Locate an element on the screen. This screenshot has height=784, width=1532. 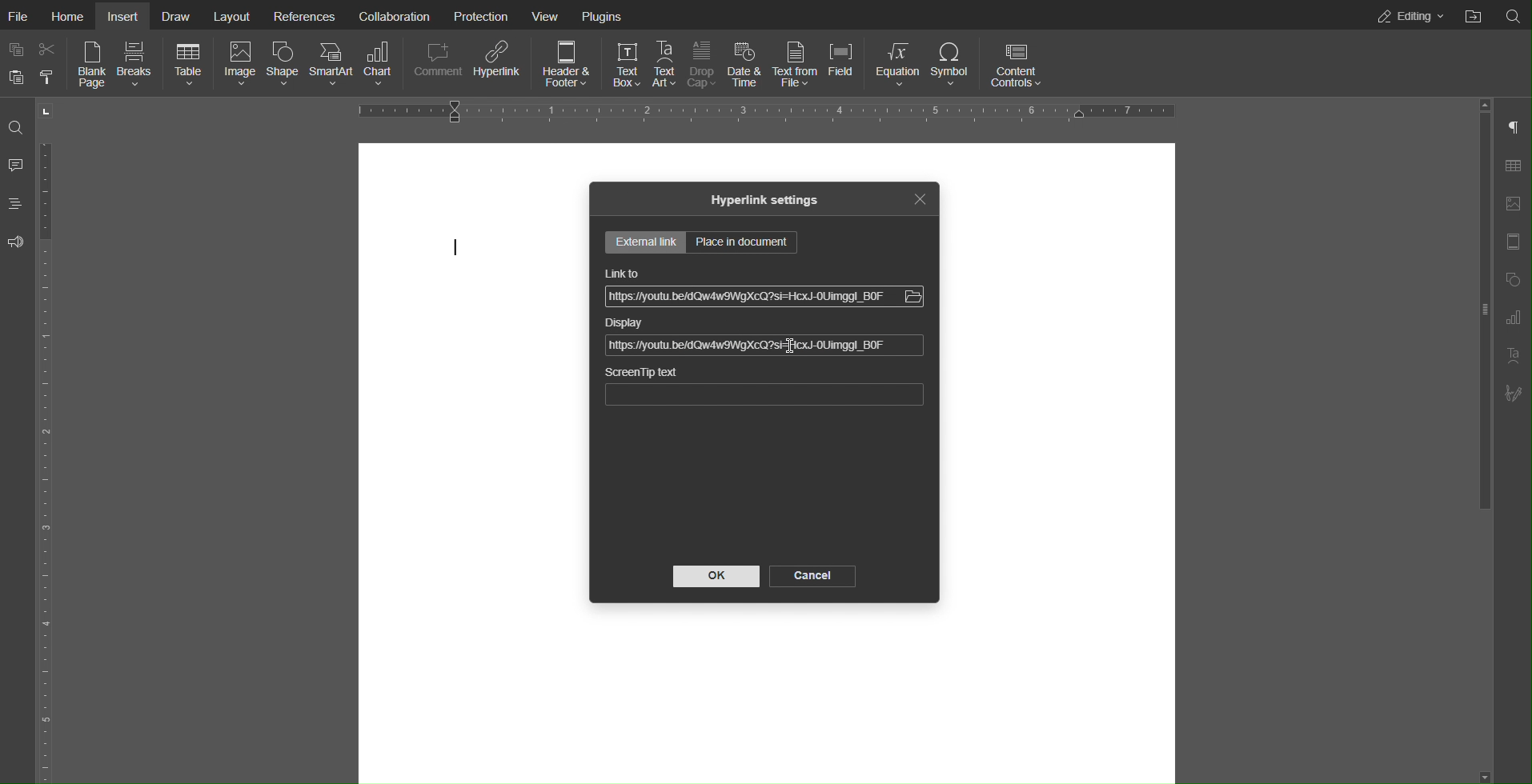
ScreenTip text is located at coordinates (641, 373).